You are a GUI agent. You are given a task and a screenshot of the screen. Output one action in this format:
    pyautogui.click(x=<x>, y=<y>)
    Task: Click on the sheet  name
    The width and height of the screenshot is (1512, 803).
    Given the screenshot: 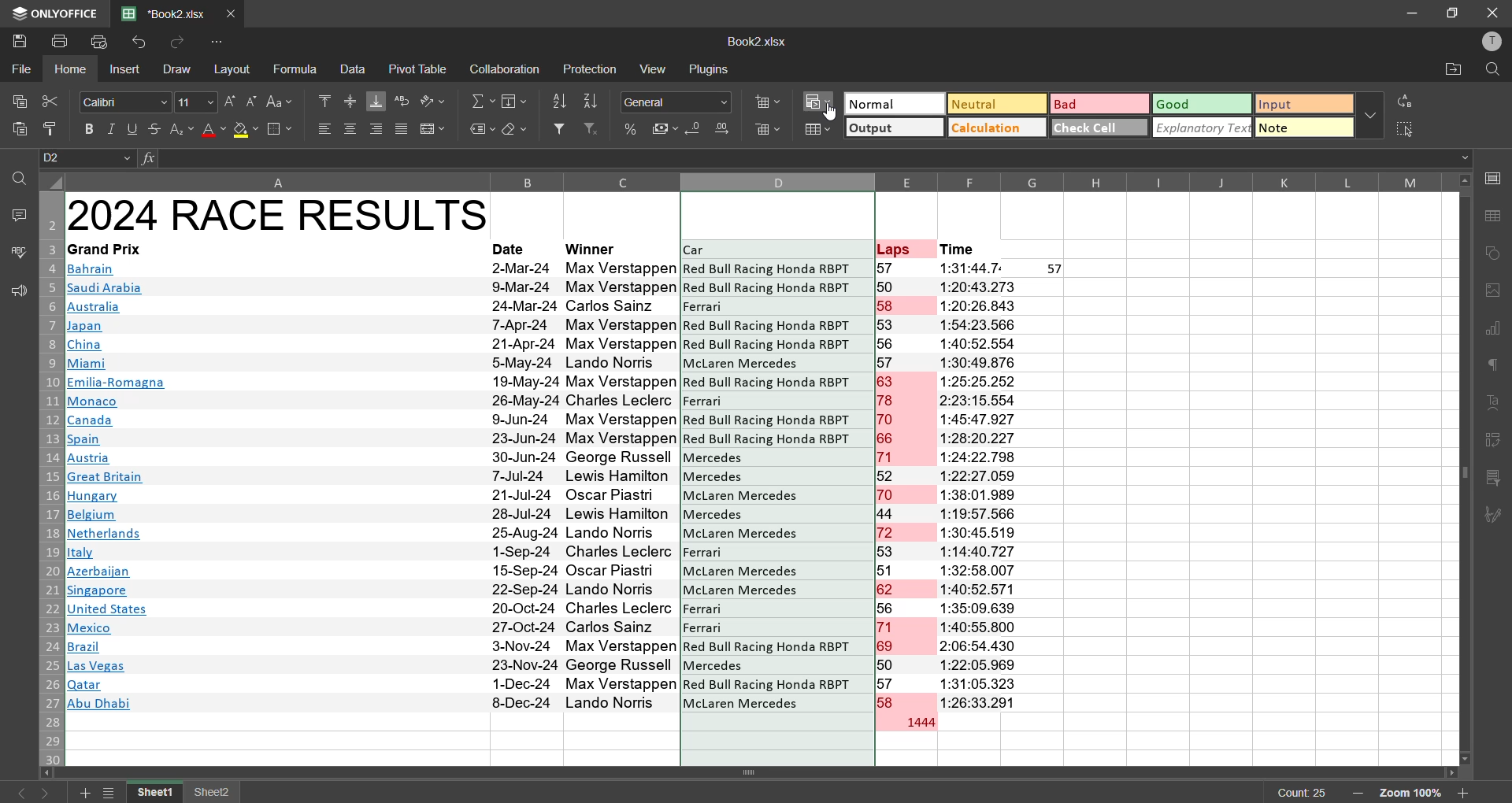 What is the action you would take?
    pyautogui.click(x=213, y=794)
    